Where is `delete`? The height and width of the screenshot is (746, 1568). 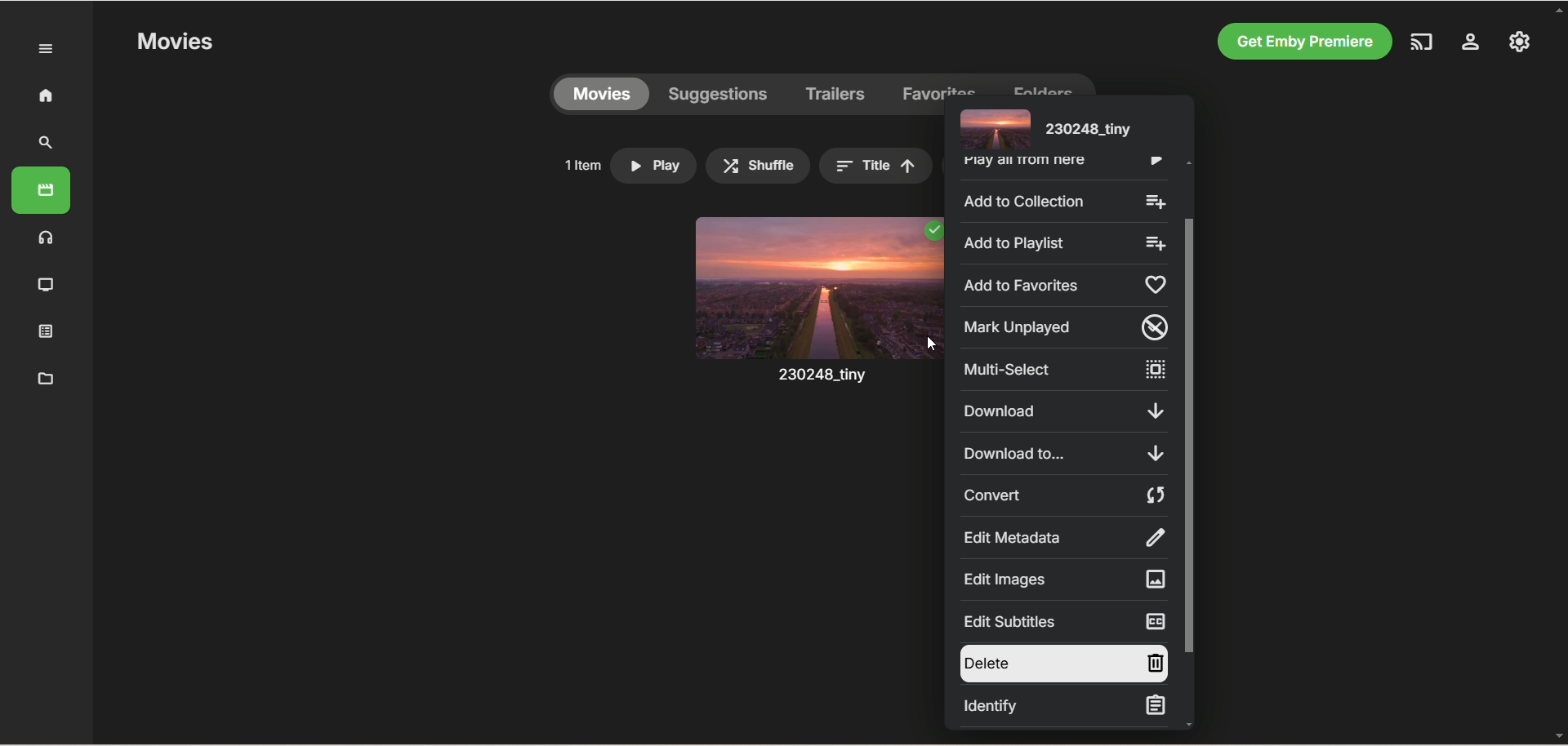
delete is located at coordinates (1062, 664).